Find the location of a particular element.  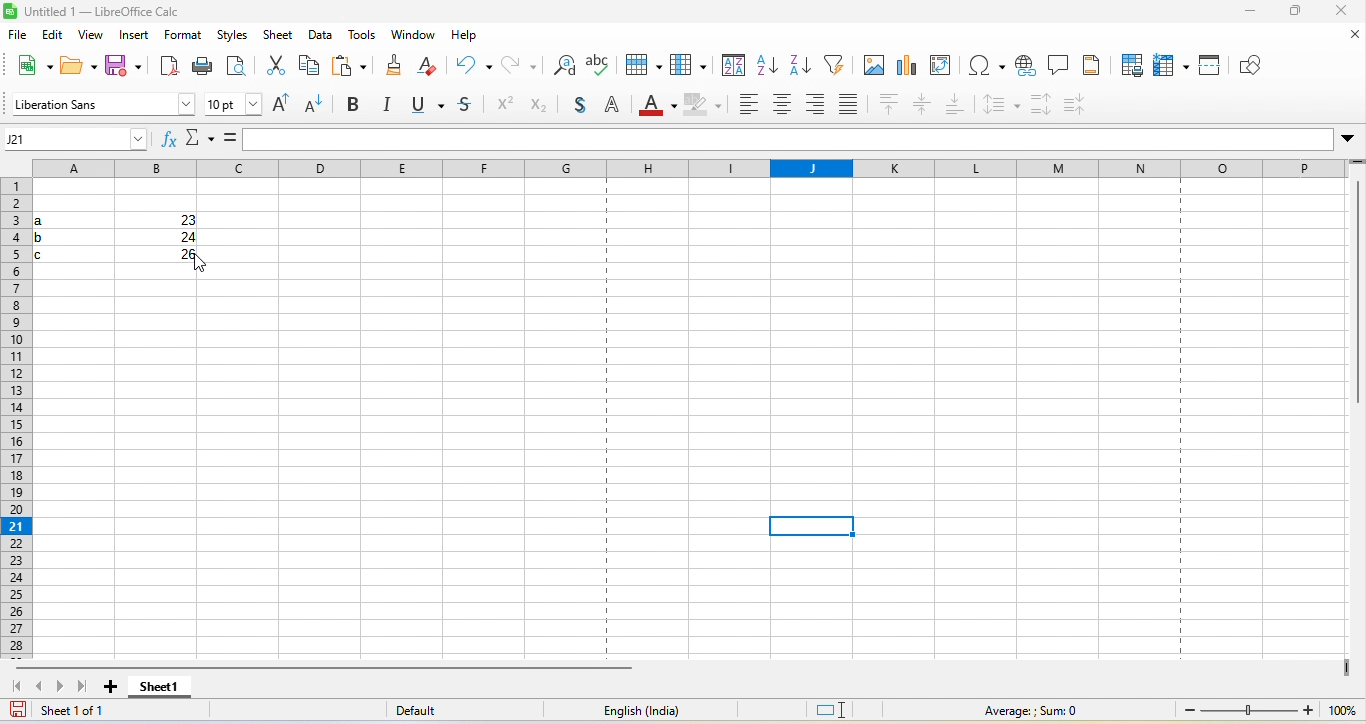

align center  is located at coordinates (782, 105).